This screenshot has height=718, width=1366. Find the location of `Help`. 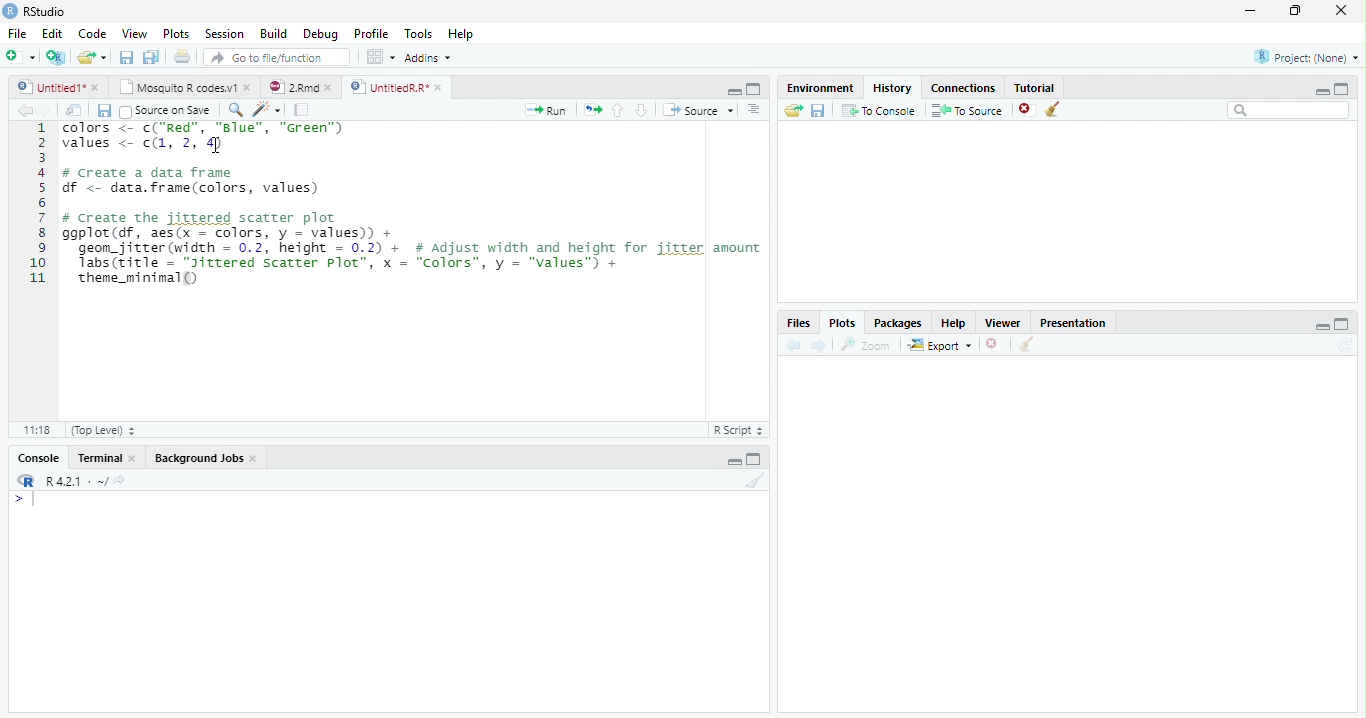

Help is located at coordinates (461, 33).